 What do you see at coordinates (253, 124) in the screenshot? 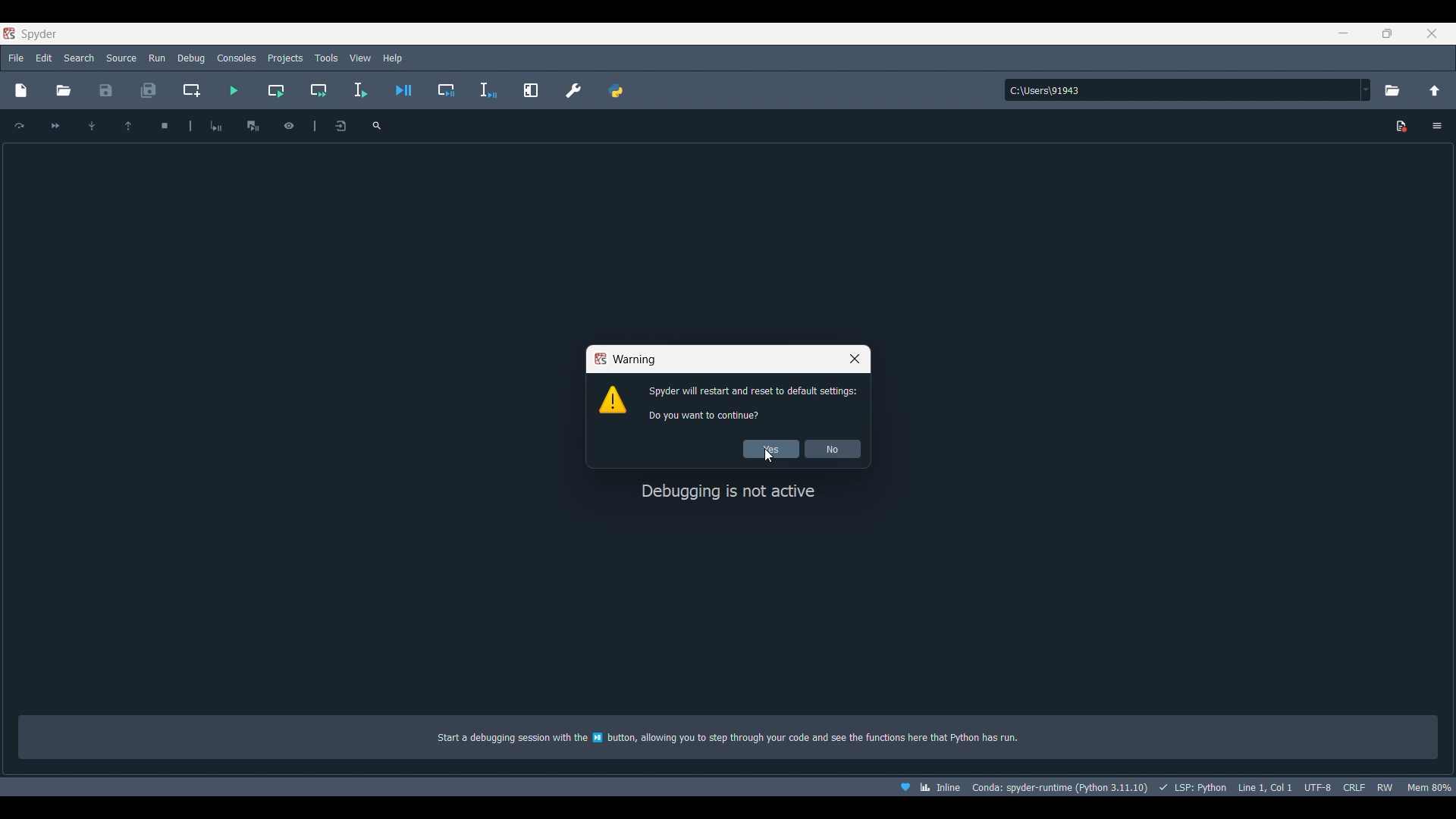
I see `pause/play` at bounding box center [253, 124].